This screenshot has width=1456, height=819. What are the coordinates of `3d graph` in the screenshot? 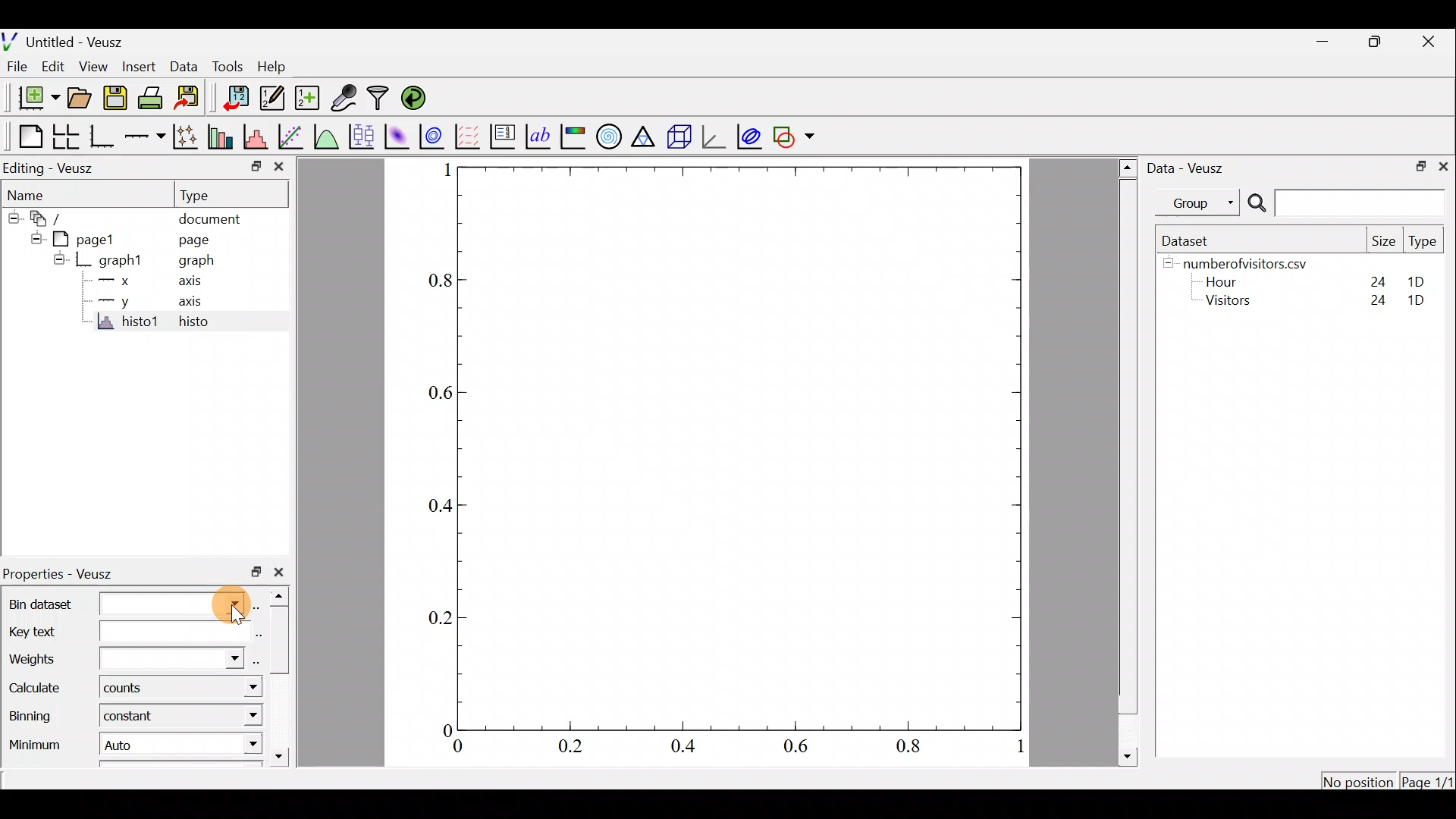 It's located at (717, 136).